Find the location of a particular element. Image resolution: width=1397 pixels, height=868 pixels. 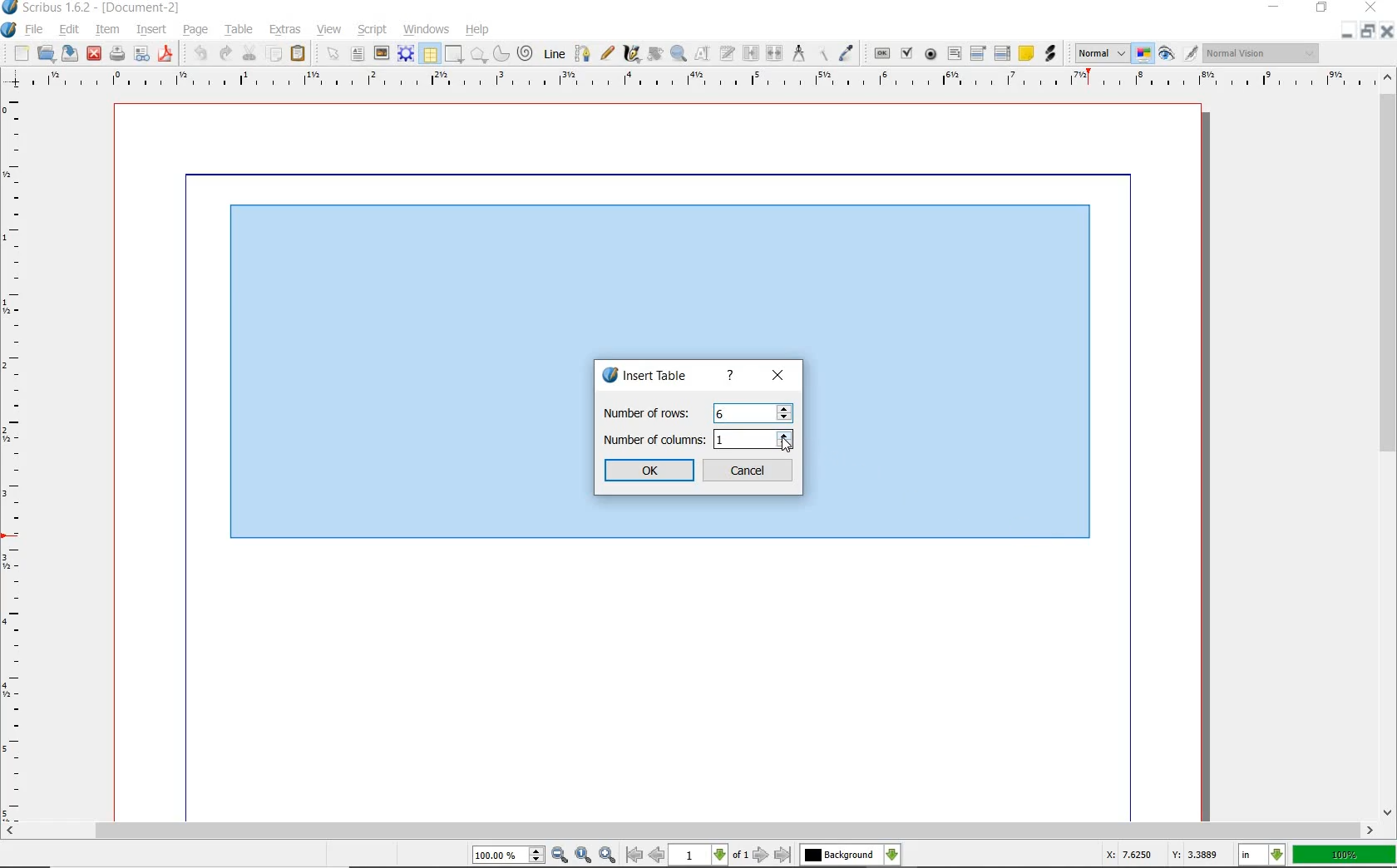

Number of columns: is located at coordinates (653, 440).